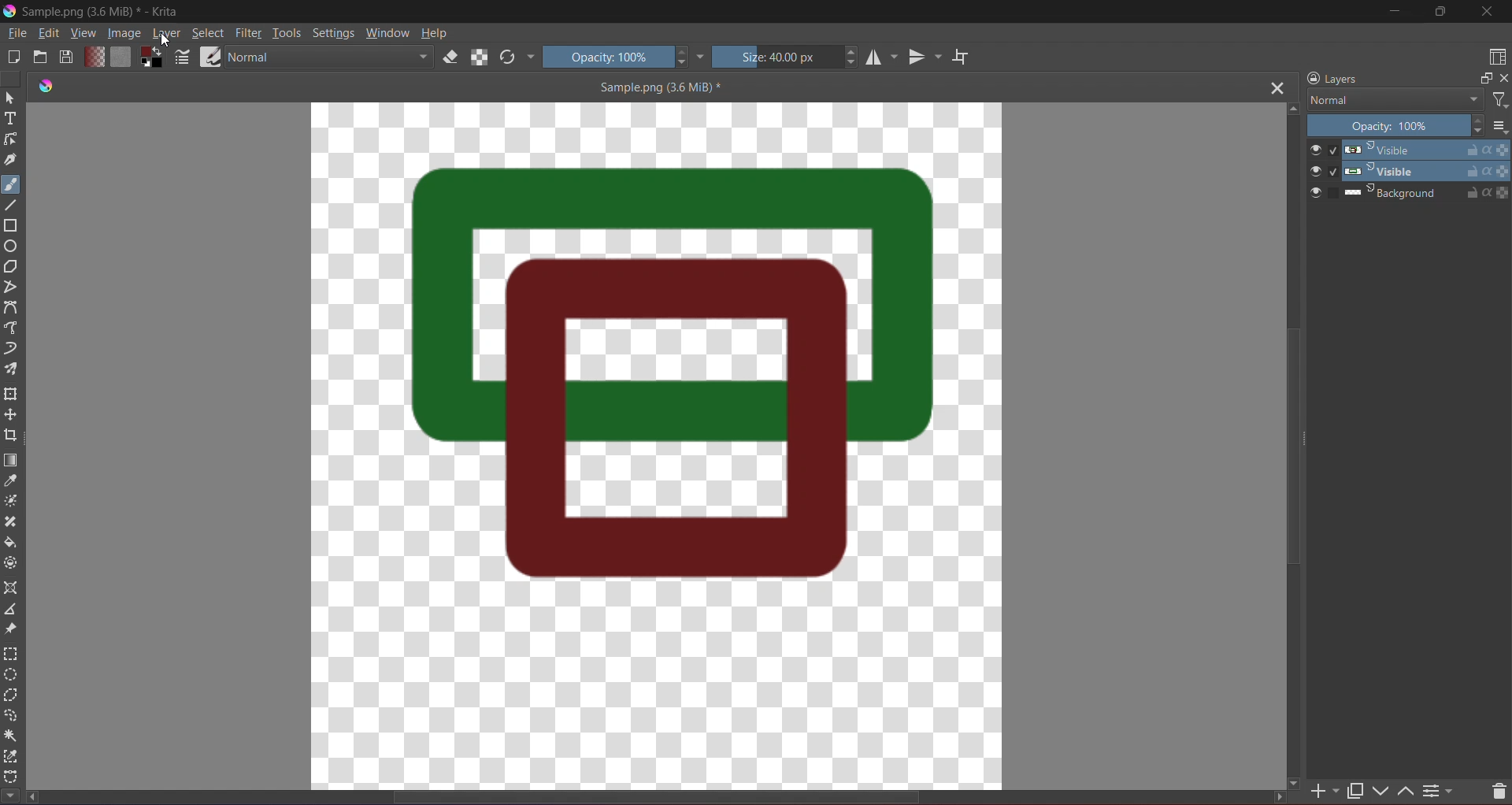 Image resolution: width=1512 pixels, height=805 pixels. I want to click on Colorize Mask, so click(14, 502).